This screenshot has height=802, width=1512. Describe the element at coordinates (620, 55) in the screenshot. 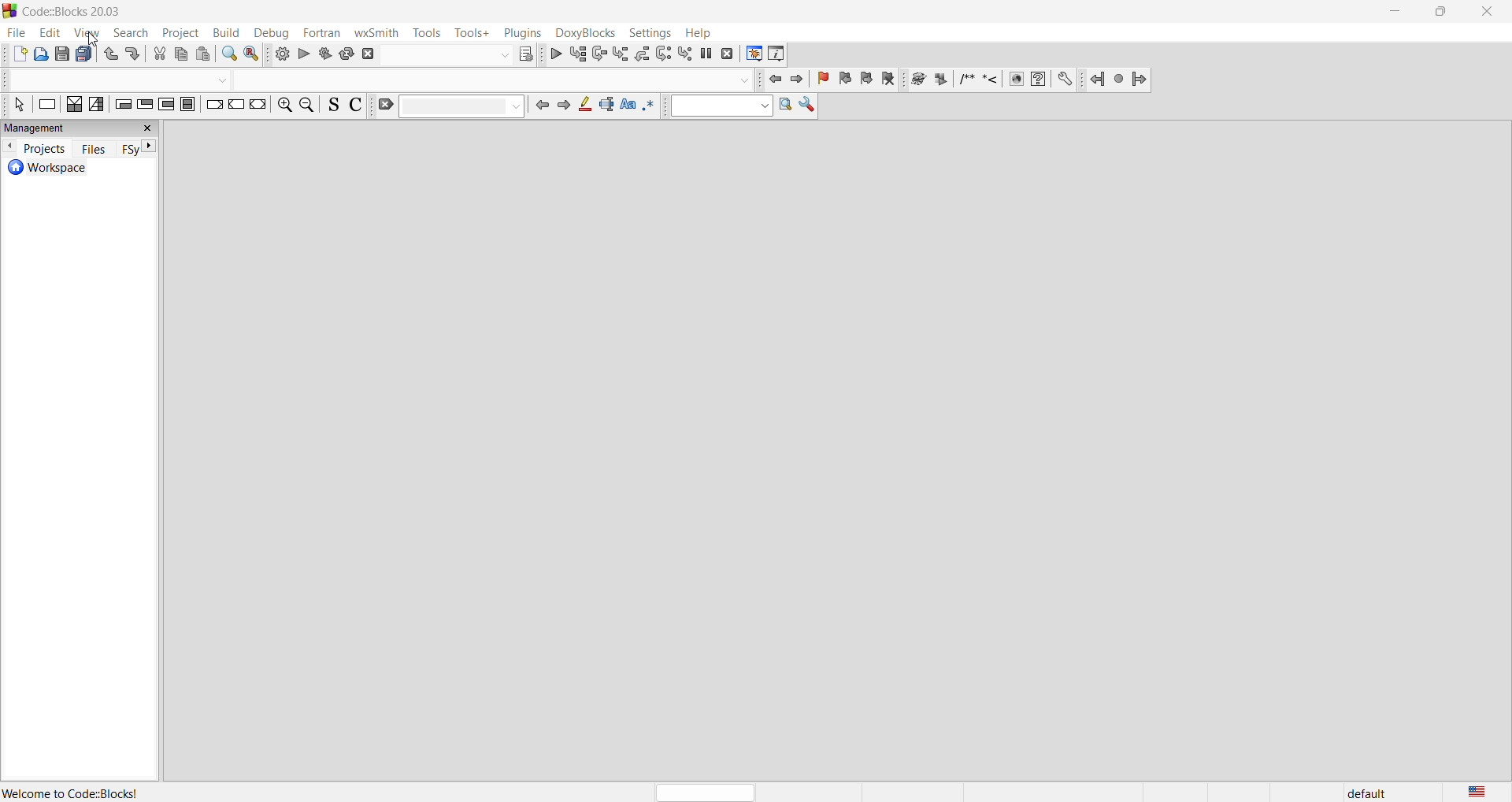

I see `step into` at that location.